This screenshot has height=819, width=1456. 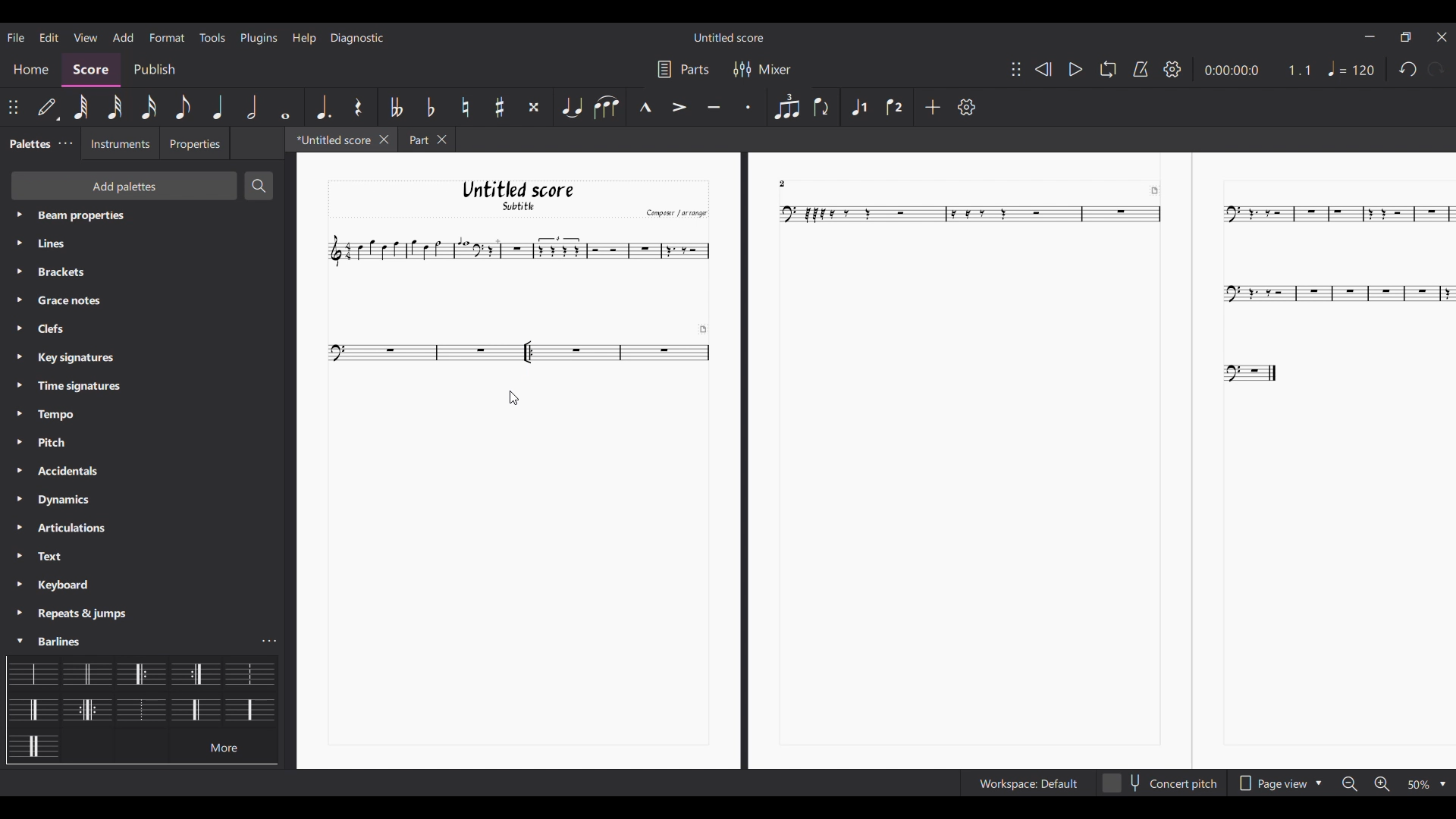 What do you see at coordinates (323, 108) in the screenshot?
I see `Augmentation dot` at bounding box center [323, 108].